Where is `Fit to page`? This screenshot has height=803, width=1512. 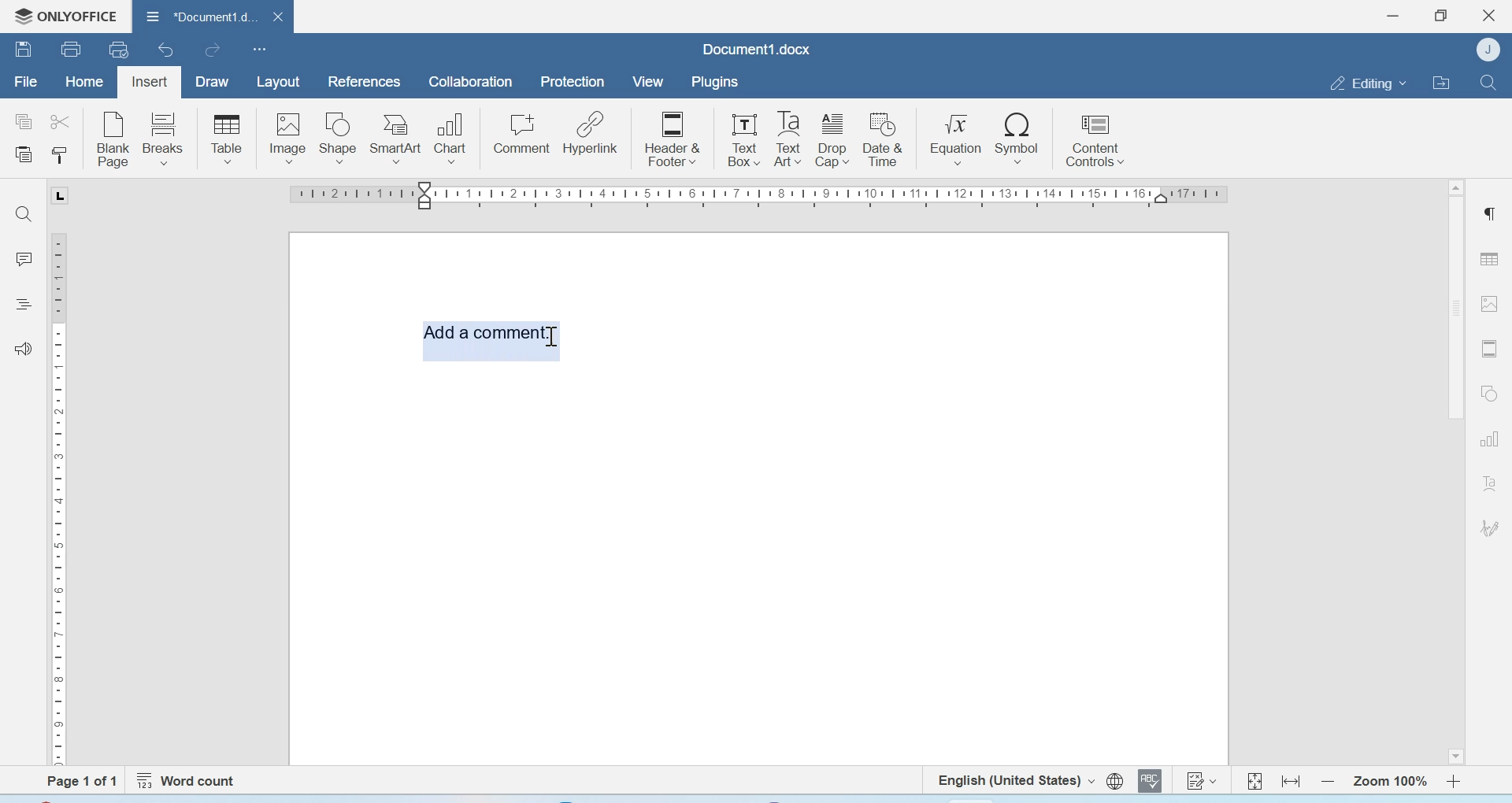 Fit to page is located at coordinates (1255, 780).